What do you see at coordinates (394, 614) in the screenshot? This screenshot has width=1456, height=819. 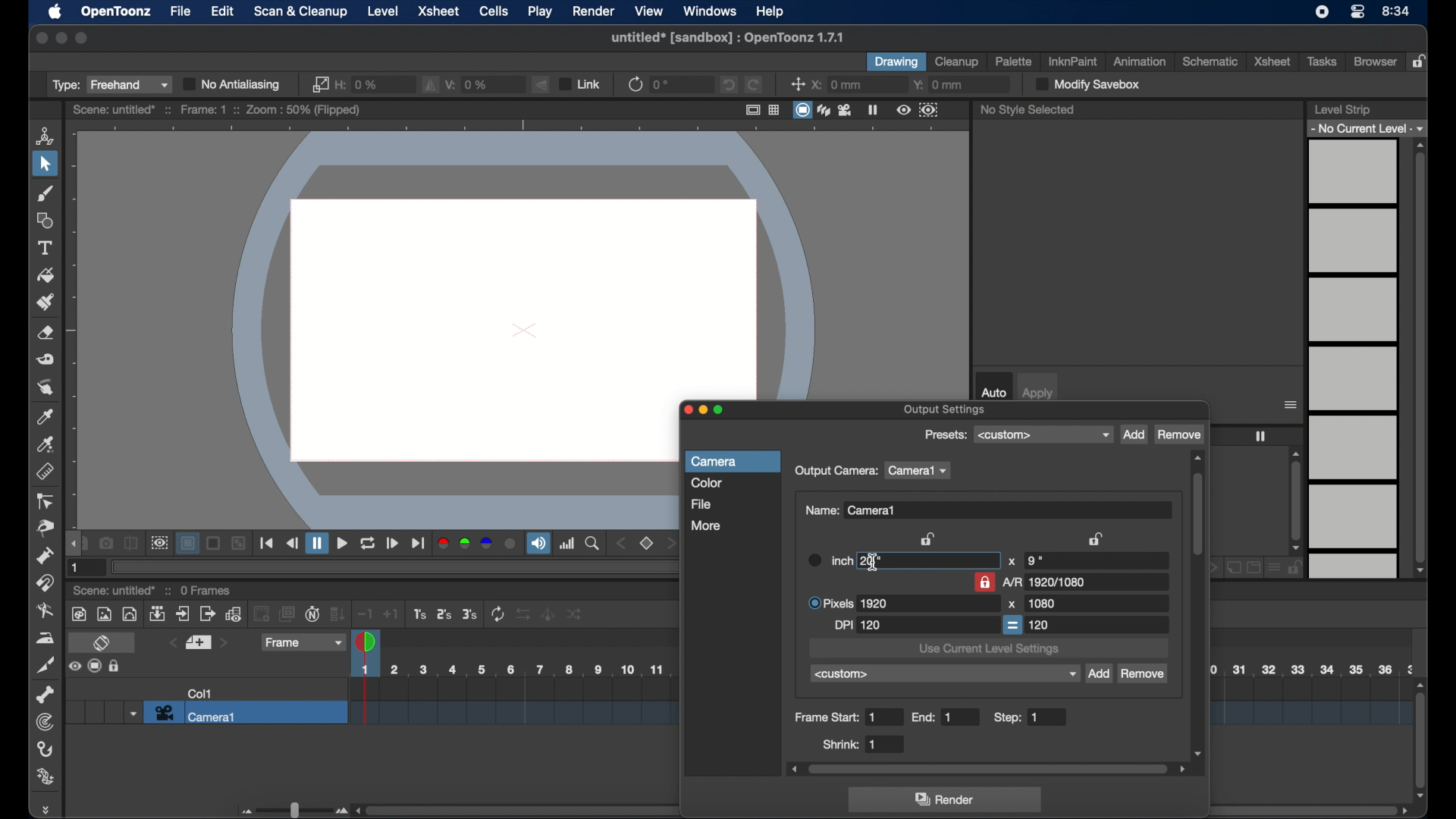 I see `` at bounding box center [394, 614].